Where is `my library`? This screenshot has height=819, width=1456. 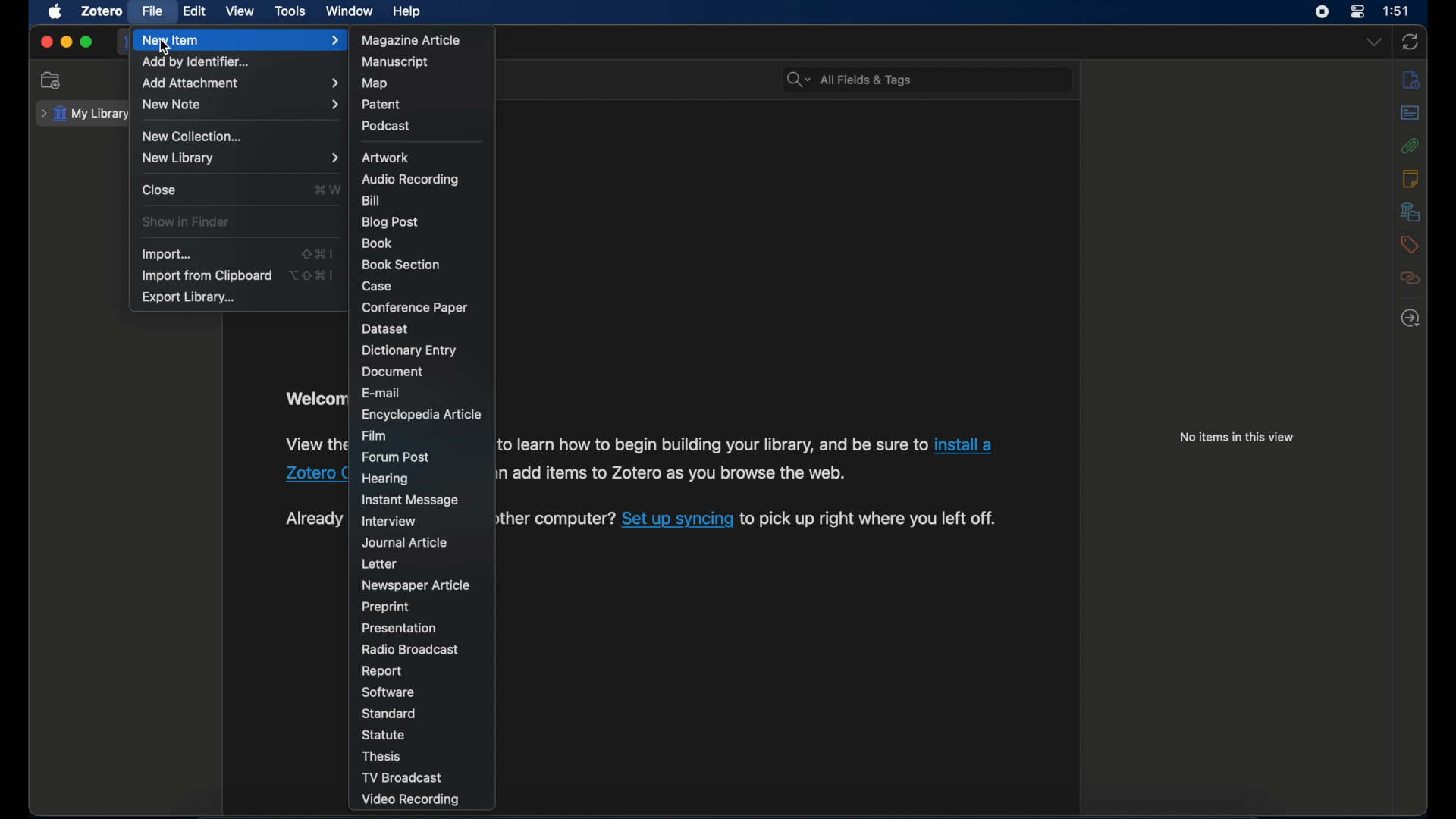
my library is located at coordinates (85, 115).